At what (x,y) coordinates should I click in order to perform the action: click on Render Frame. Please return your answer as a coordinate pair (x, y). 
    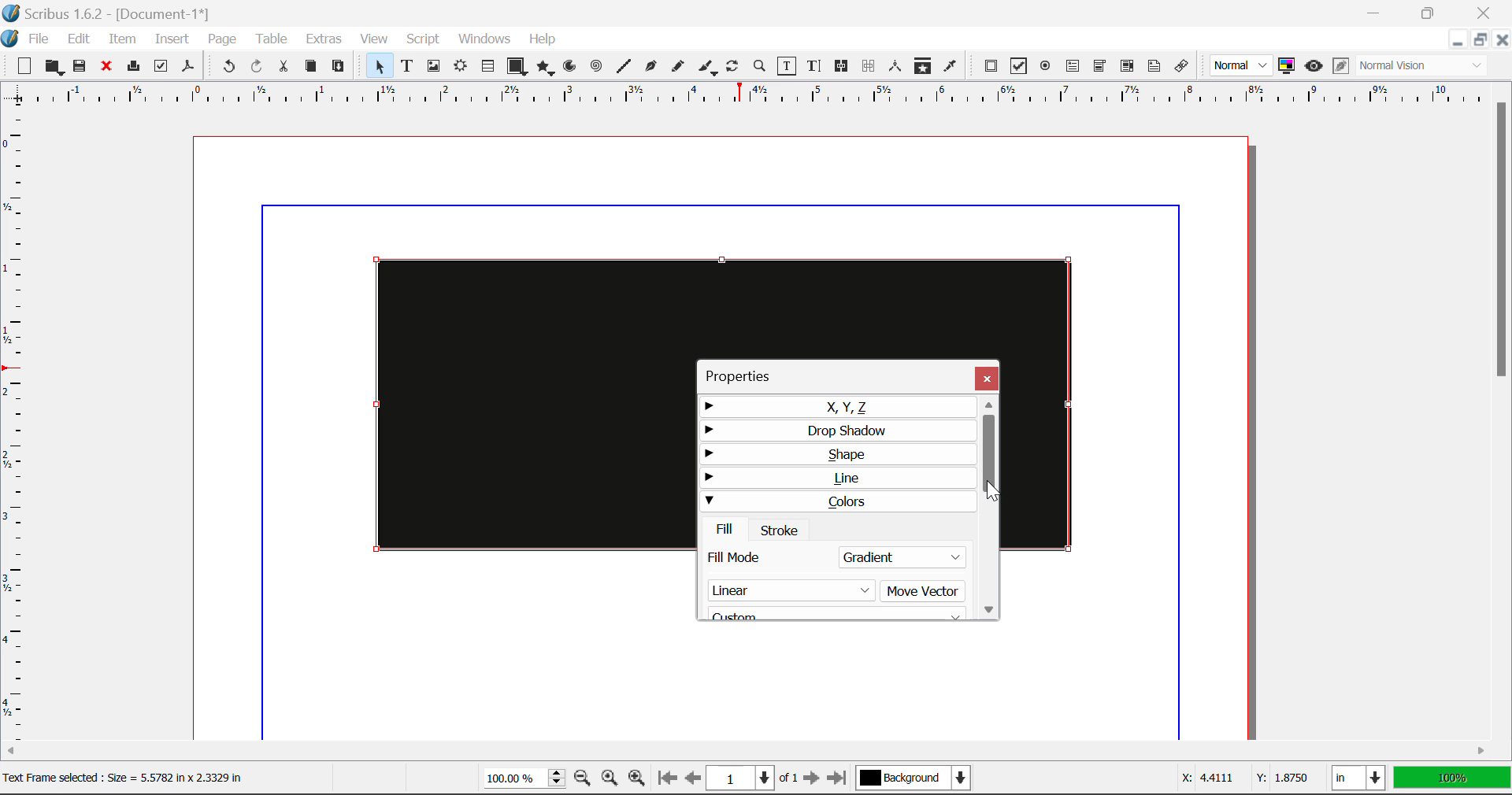
    Looking at the image, I should click on (460, 68).